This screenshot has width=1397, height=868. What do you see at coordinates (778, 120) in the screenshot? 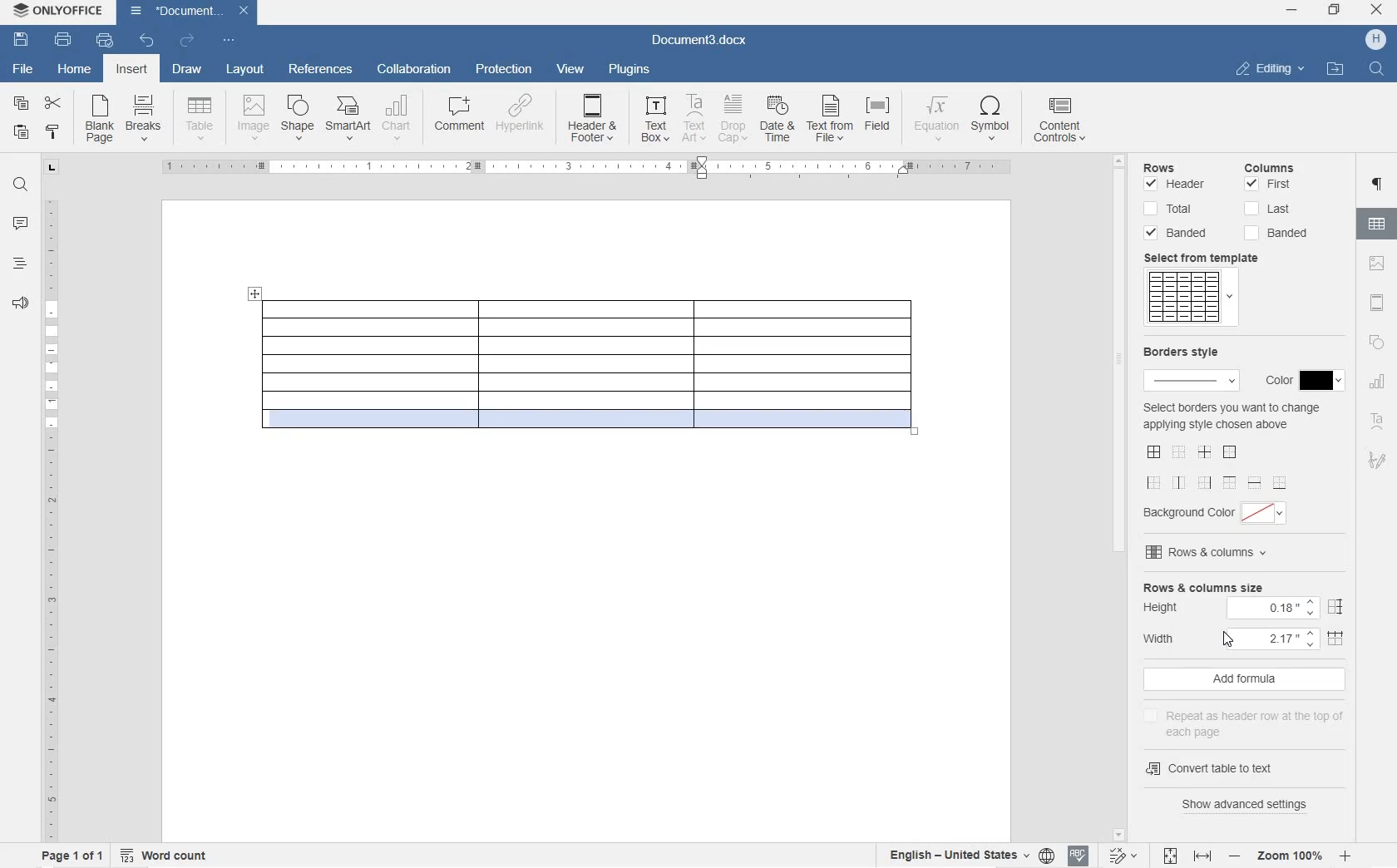
I see `DATE & TIME` at bounding box center [778, 120].